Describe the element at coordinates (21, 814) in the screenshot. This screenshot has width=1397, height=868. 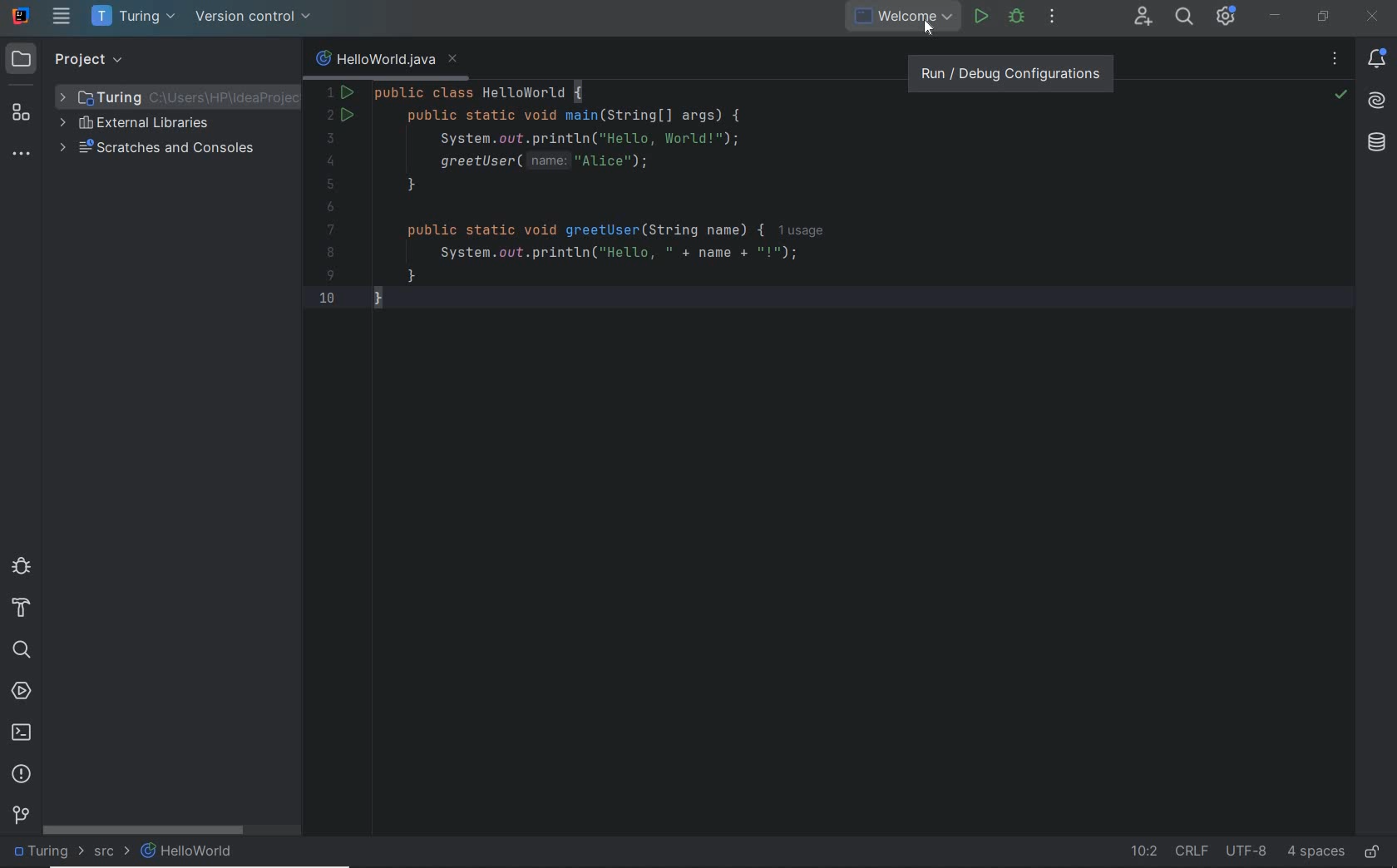
I see `version control` at that location.